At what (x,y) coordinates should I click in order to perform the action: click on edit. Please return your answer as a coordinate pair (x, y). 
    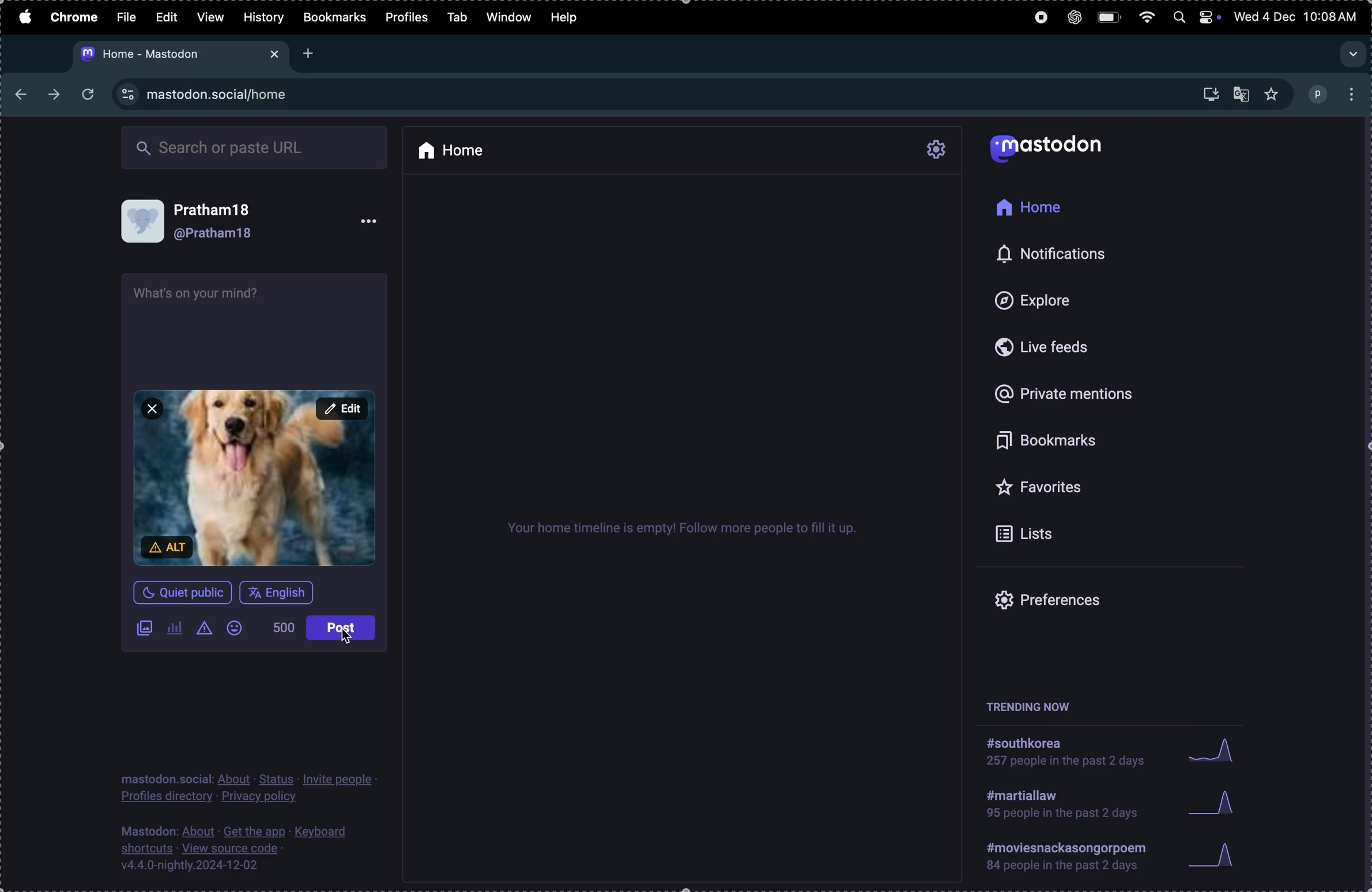
    Looking at the image, I should click on (342, 409).